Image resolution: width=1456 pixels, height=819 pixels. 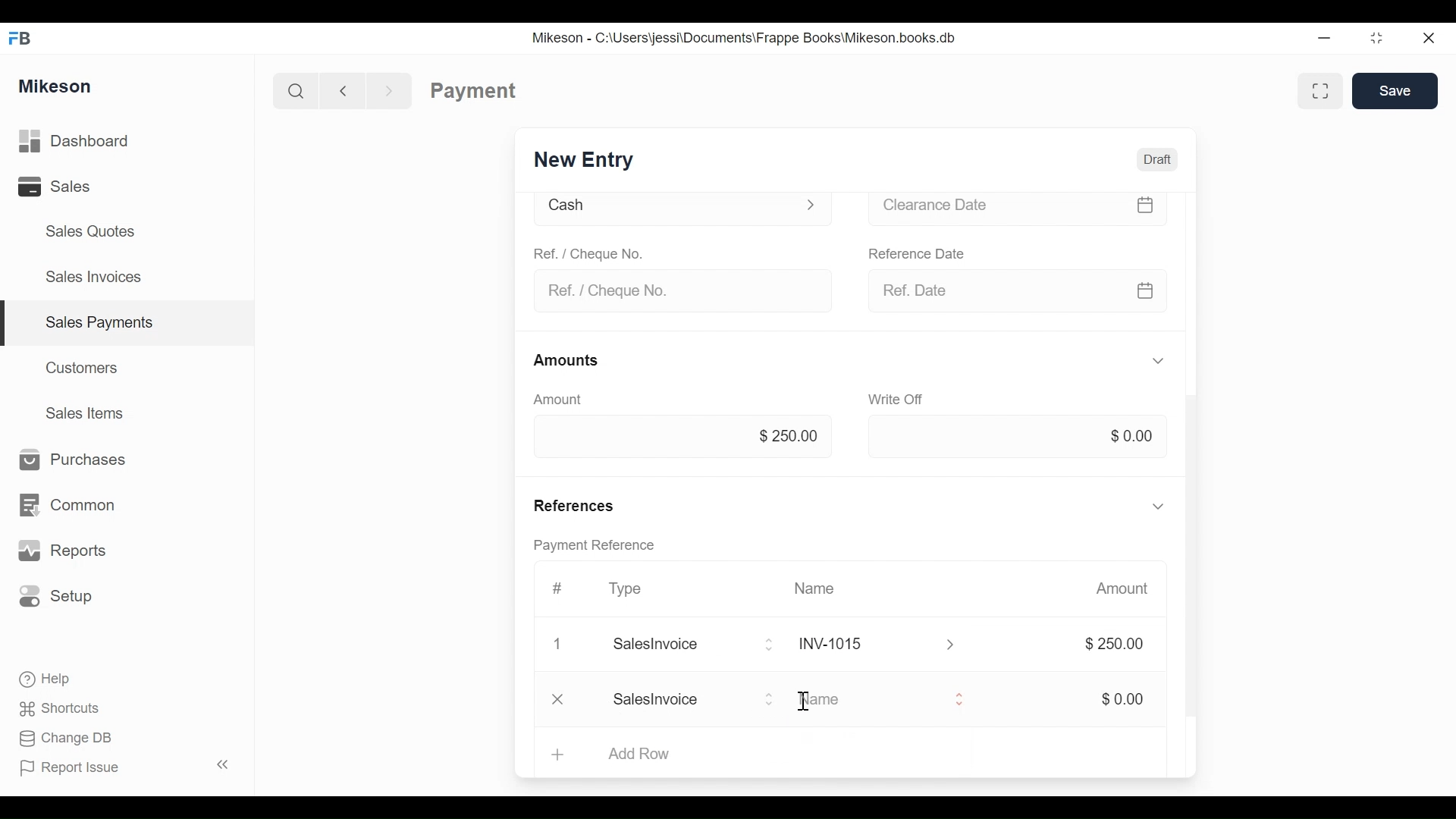 I want to click on Payment reference, so click(x=598, y=547).